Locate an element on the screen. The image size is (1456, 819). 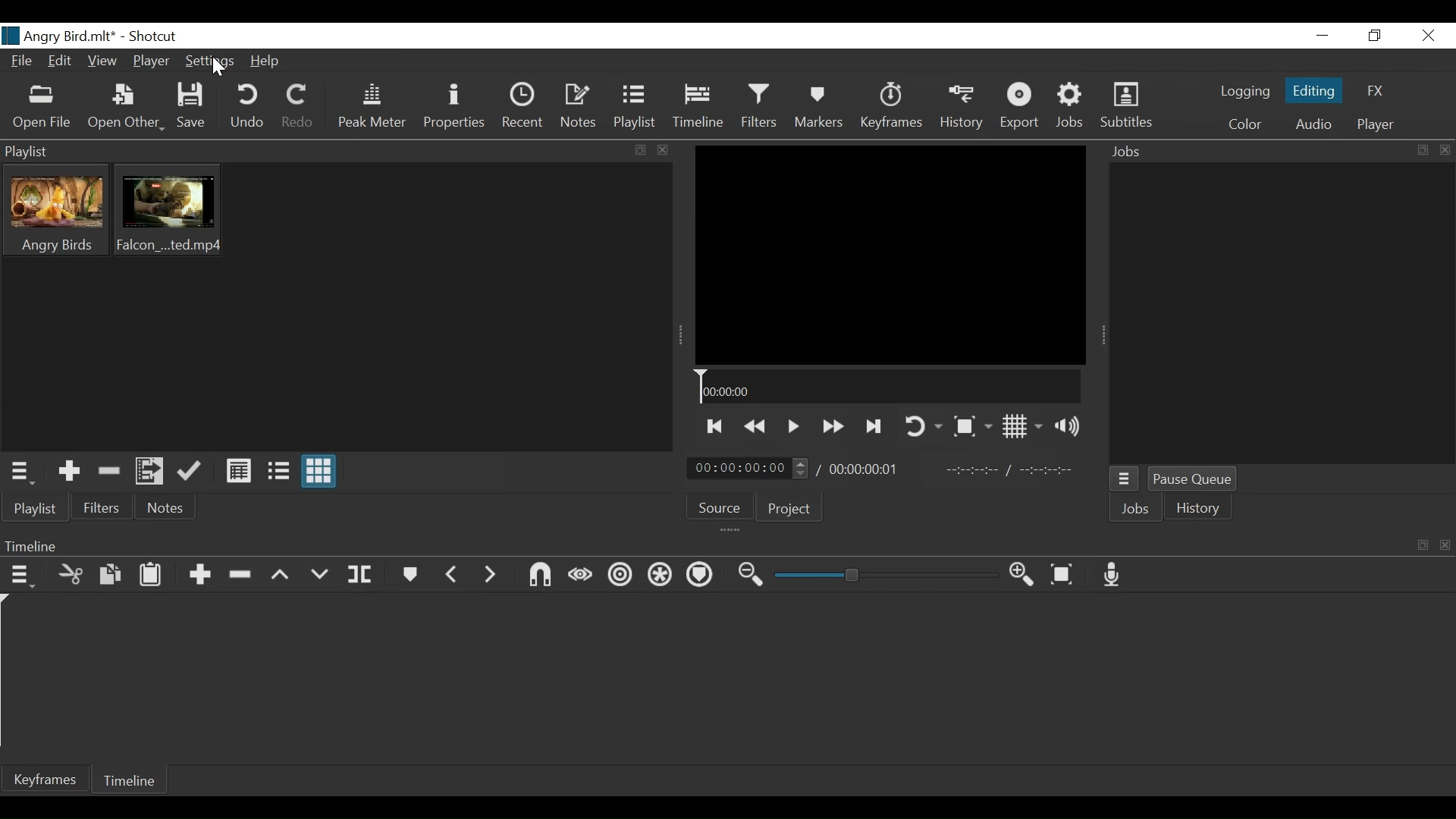
Toggle play or pause (space) is located at coordinates (794, 427).